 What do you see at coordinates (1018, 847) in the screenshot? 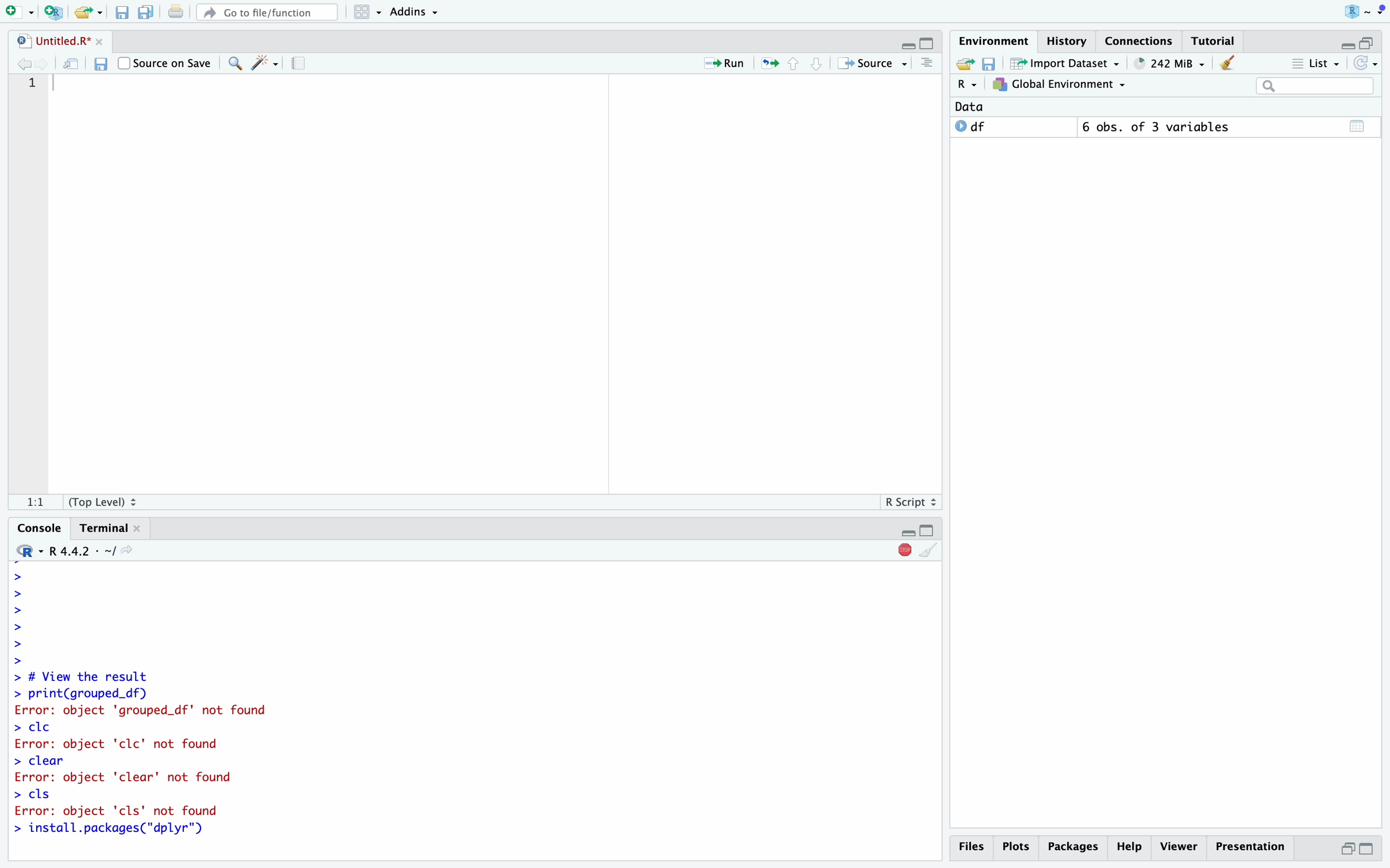
I see `Plots` at bounding box center [1018, 847].